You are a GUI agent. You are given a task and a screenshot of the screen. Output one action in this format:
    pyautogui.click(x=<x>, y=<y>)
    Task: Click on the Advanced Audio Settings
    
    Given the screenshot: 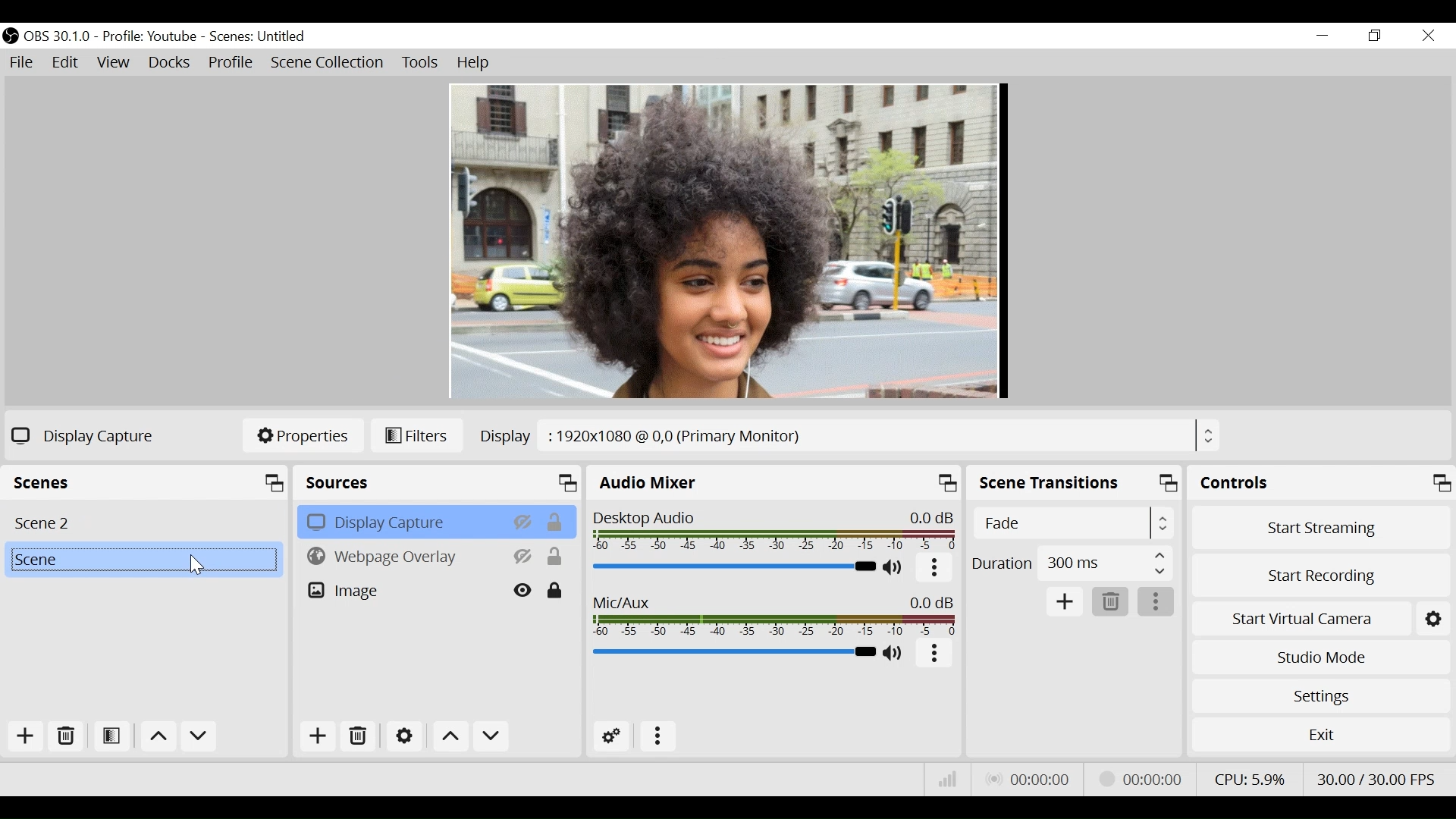 What is the action you would take?
    pyautogui.click(x=612, y=736)
    